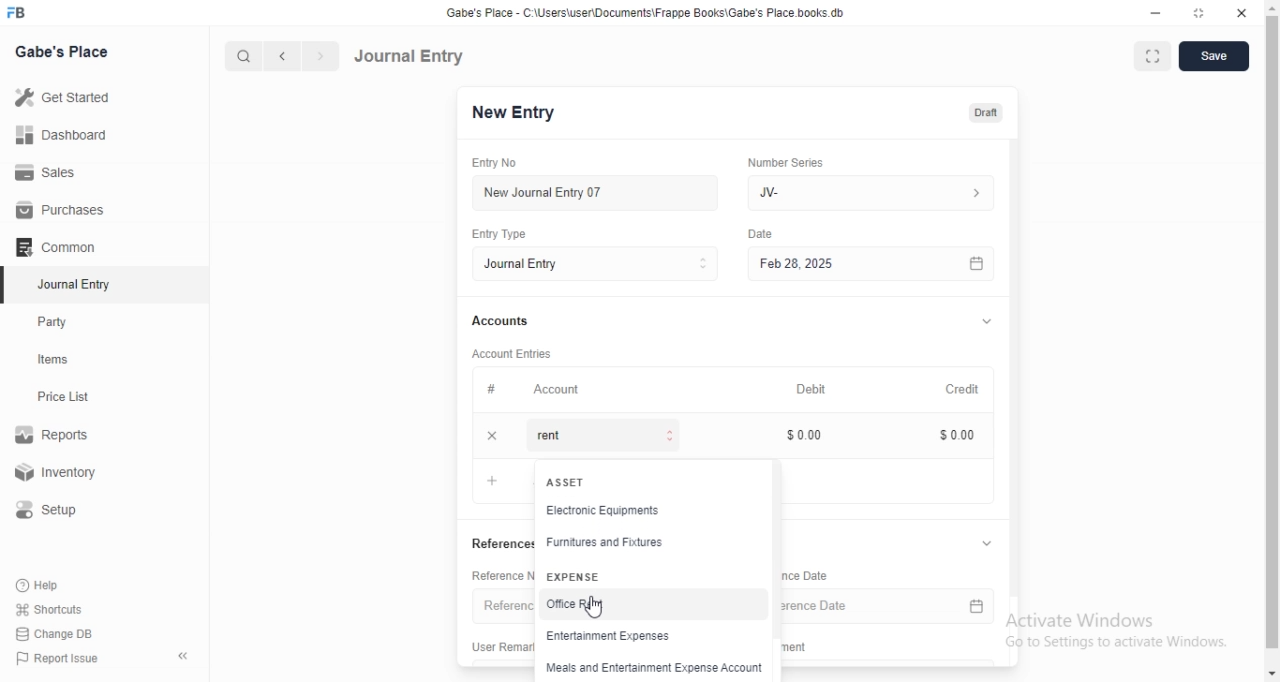  Describe the element at coordinates (322, 56) in the screenshot. I see `forward` at that location.